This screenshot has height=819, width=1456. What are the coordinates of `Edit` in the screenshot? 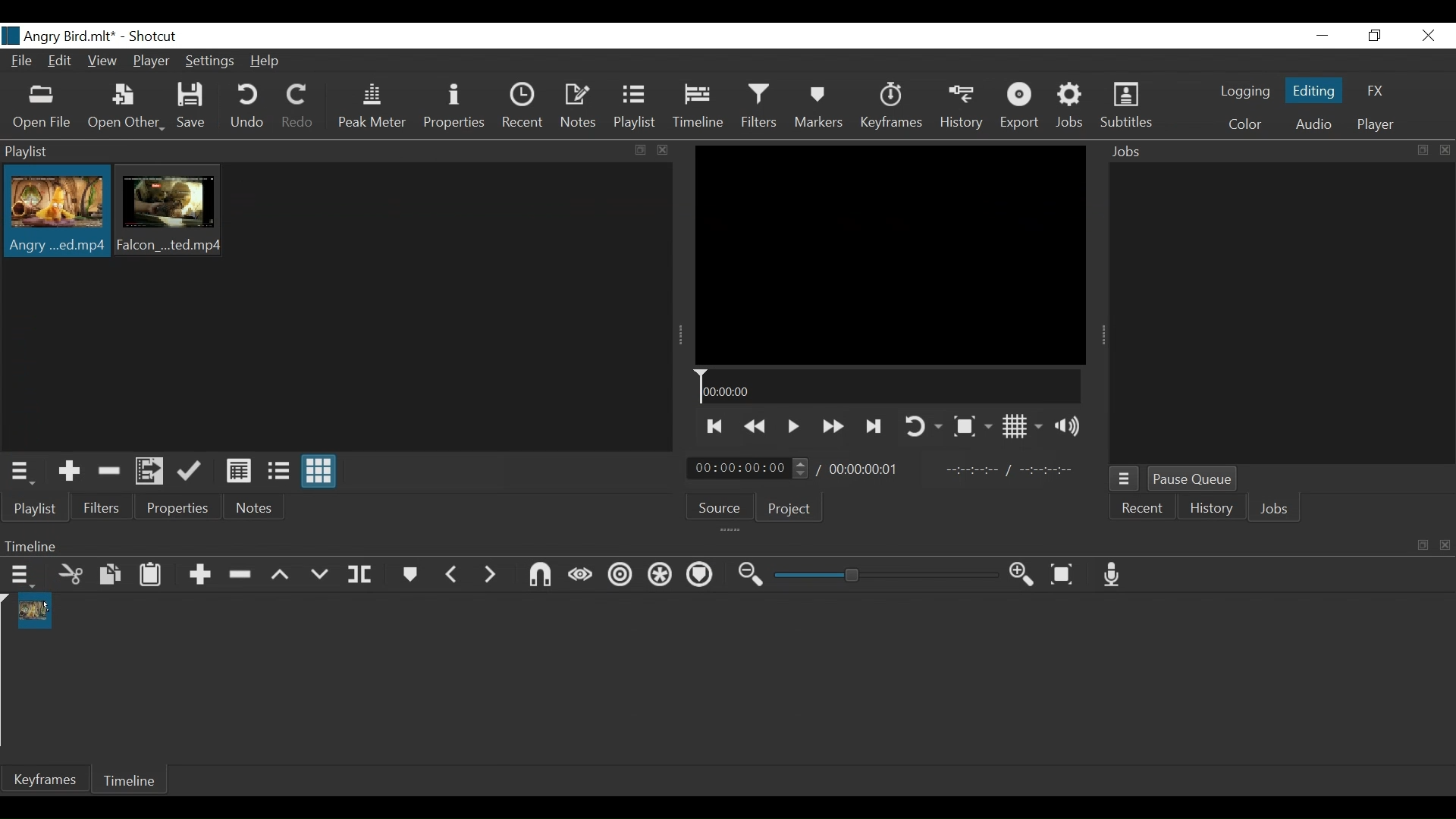 It's located at (62, 61).